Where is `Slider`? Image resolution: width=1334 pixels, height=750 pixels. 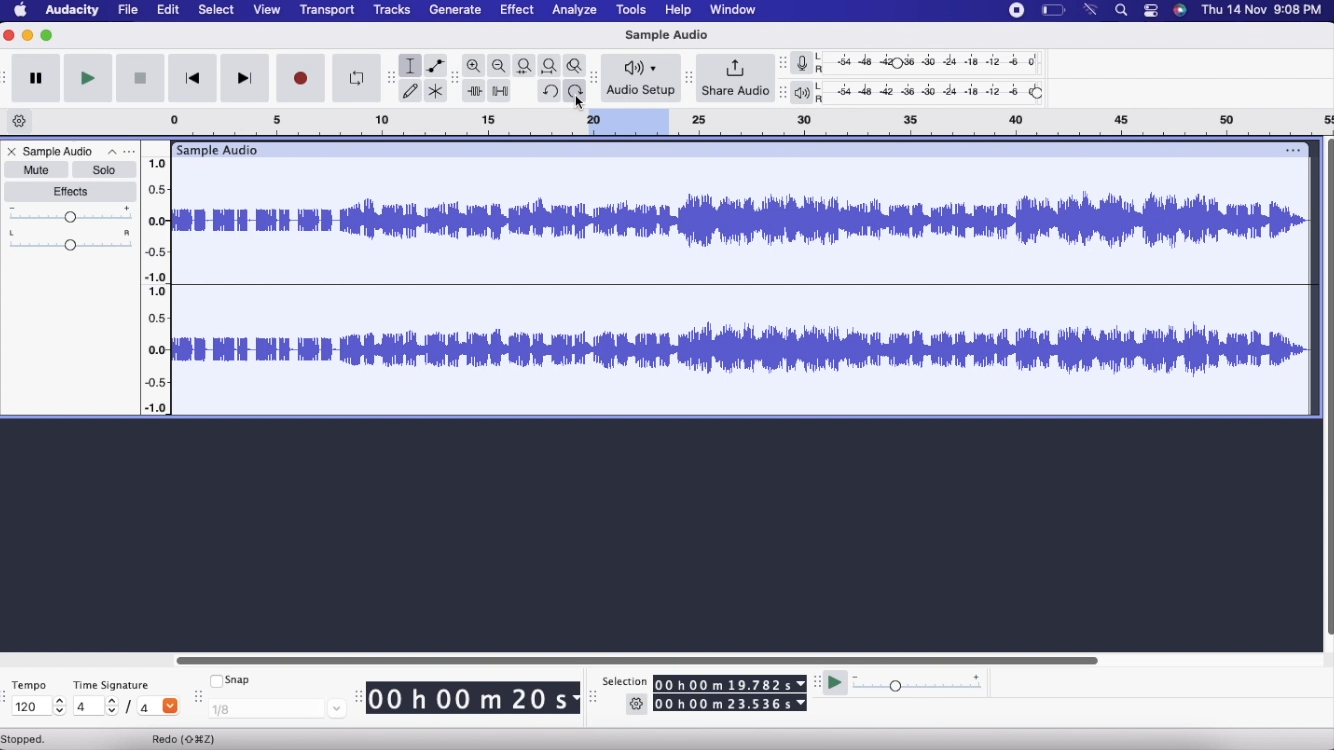 Slider is located at coordinates (640, 657).